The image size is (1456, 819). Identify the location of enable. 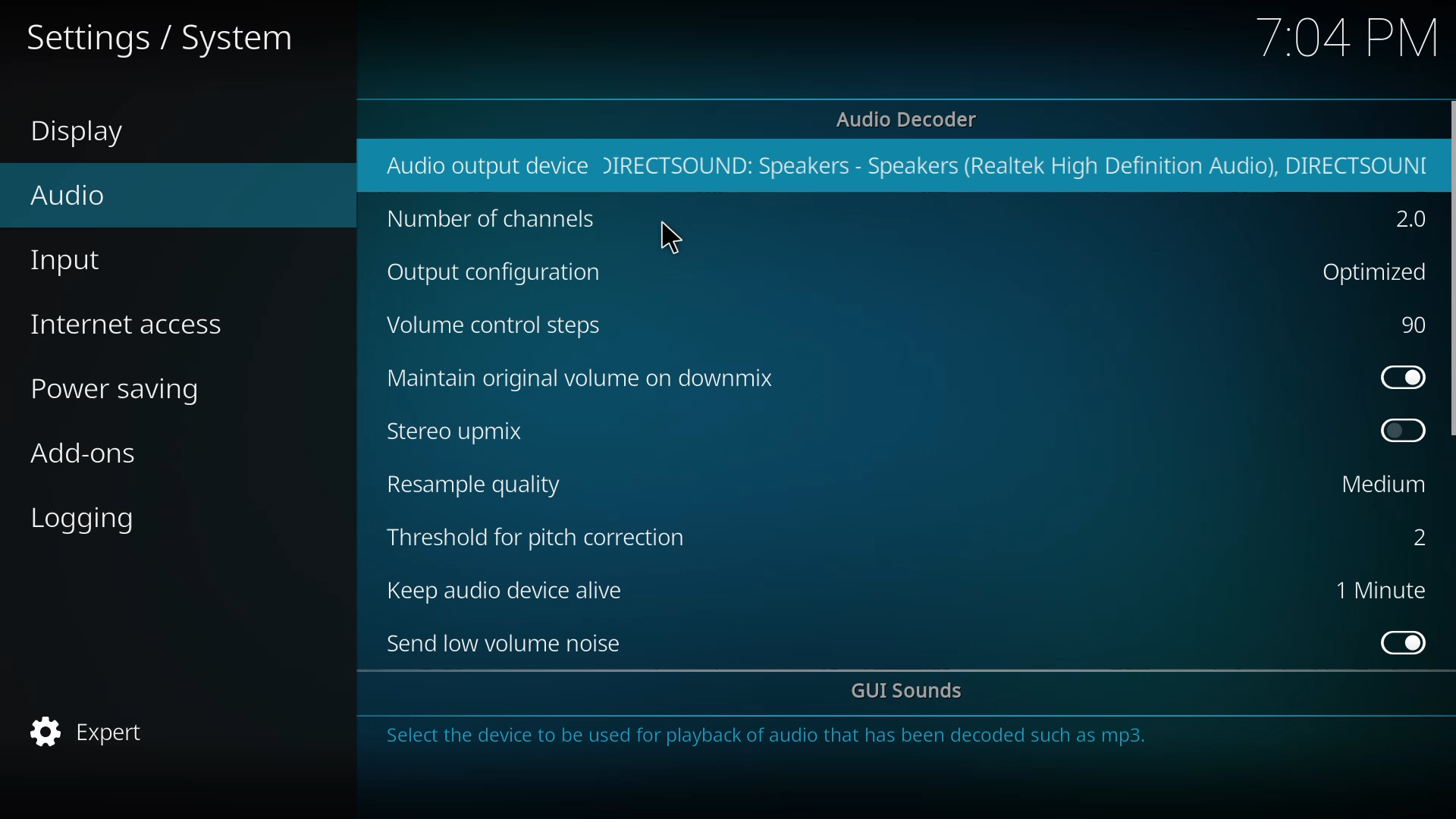
(1404, 430).